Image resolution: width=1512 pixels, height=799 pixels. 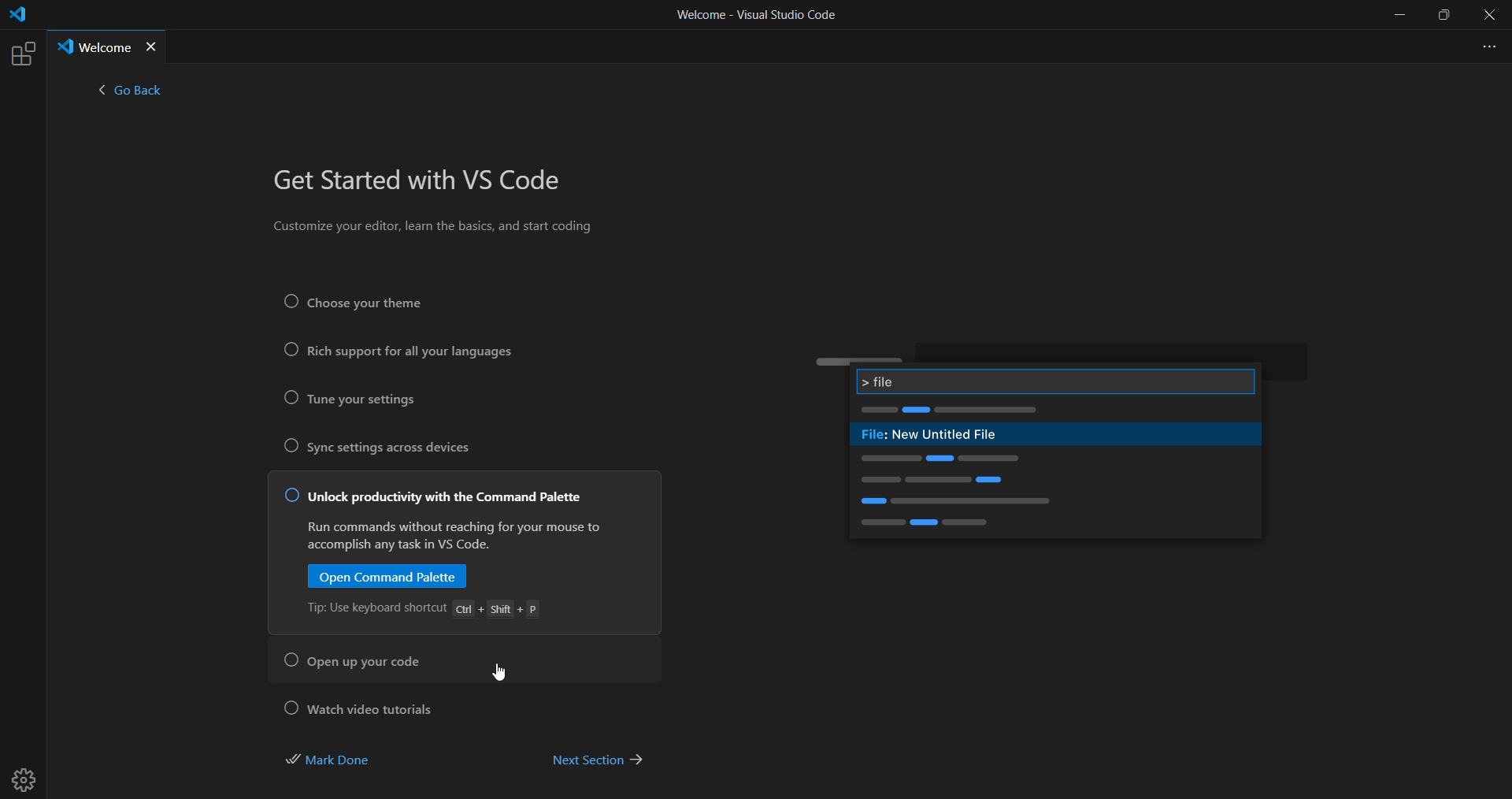 I want to click on File: New Untitled File, so click(x=947, y=436).